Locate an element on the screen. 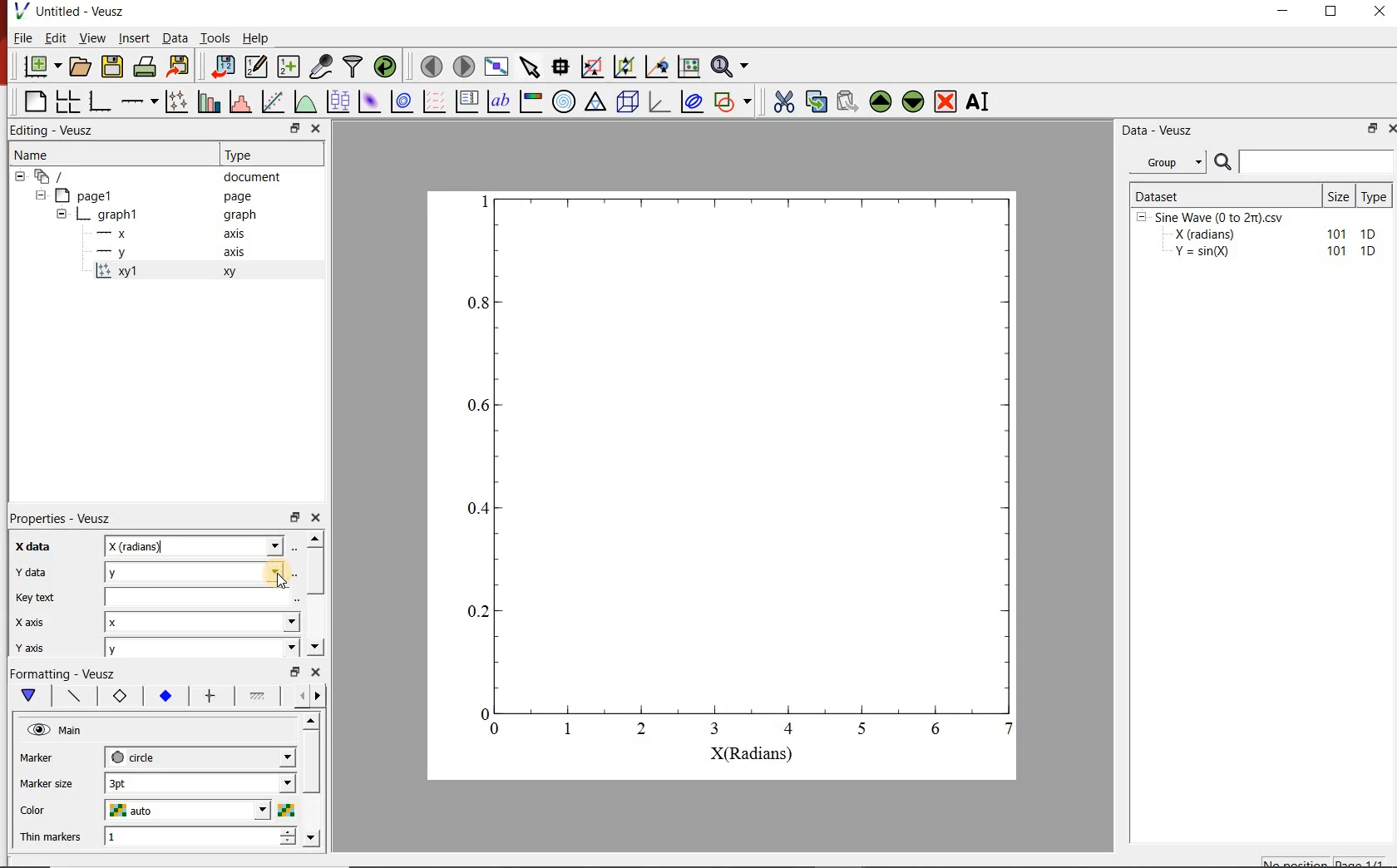 Image resolution: width=1397 pixels, height=868 pixels. Polar graph is located at coordinates (565, 101).